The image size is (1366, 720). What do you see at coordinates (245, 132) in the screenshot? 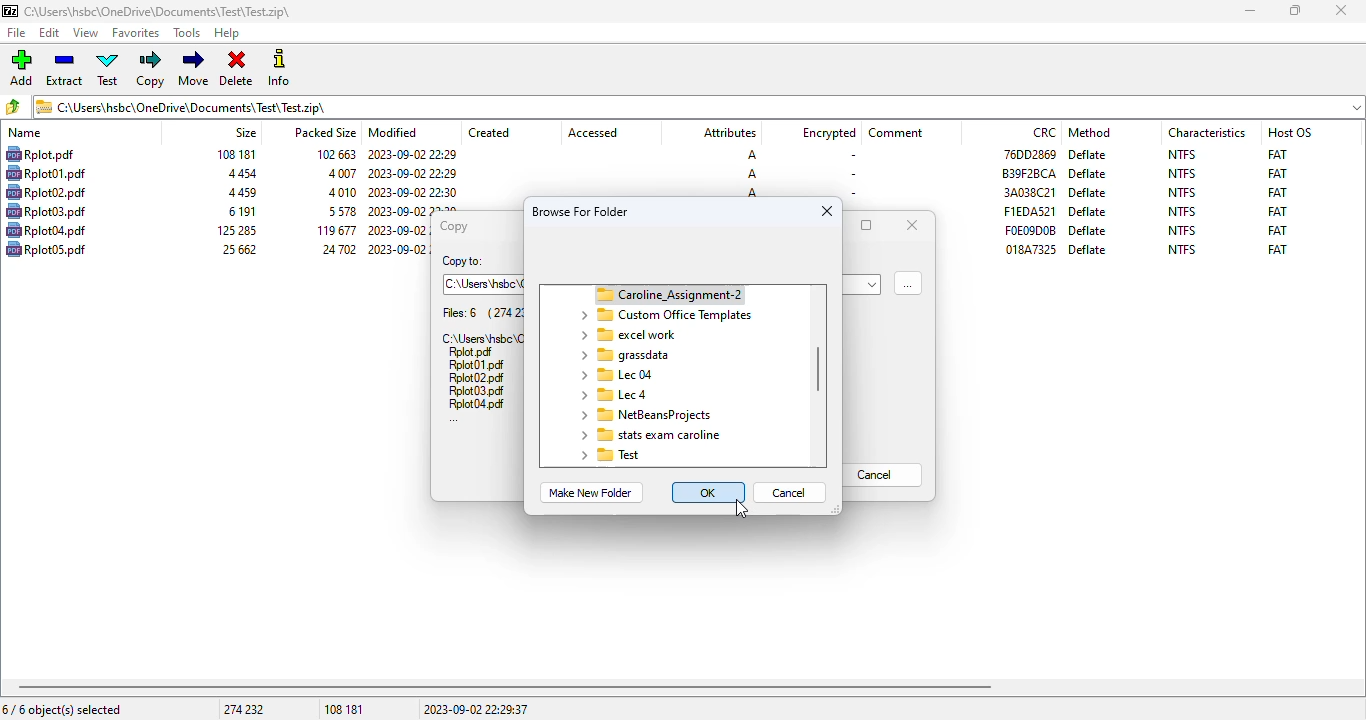
I see `size` at bounding box center [245, 132].